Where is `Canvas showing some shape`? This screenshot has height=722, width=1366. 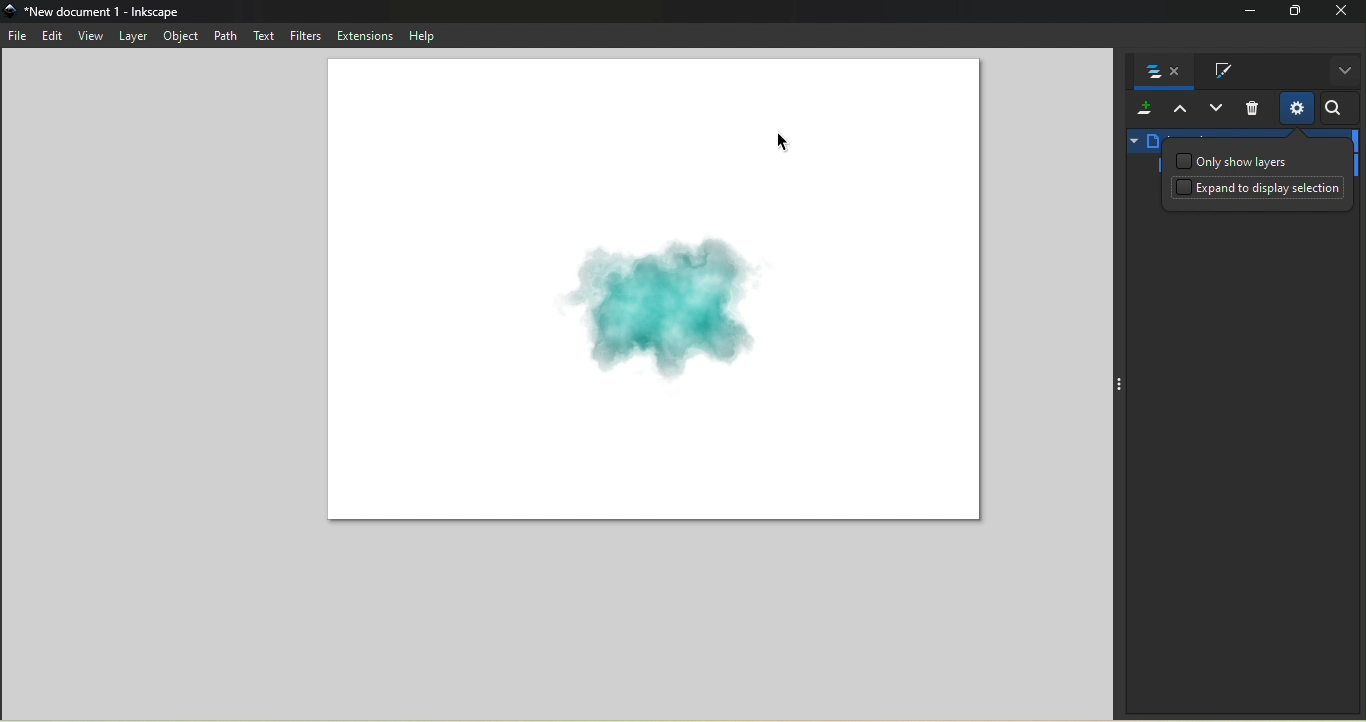 Canvas showing some shape is located at coordinates (654, 294).